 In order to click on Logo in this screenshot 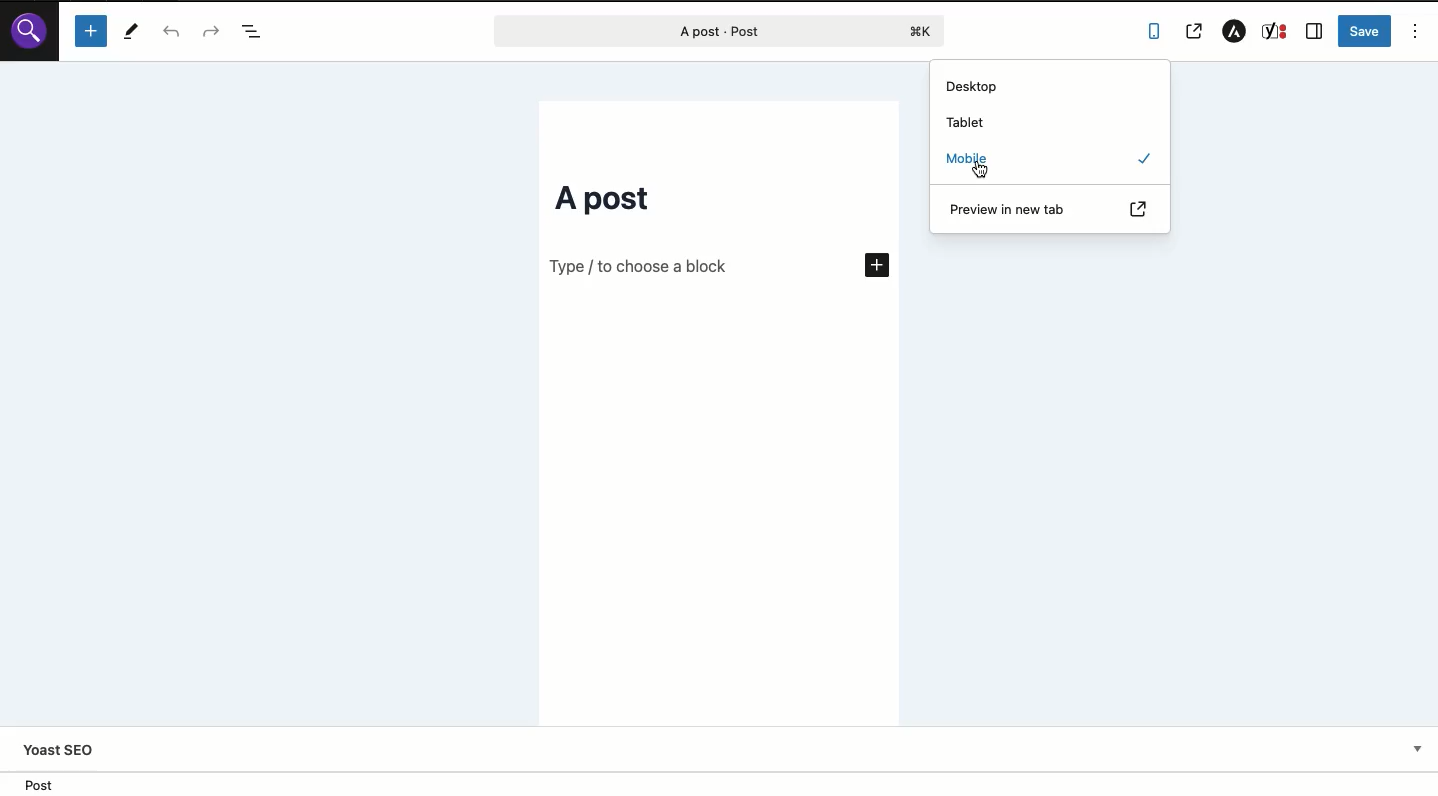, I will do `click(31, 35)`.